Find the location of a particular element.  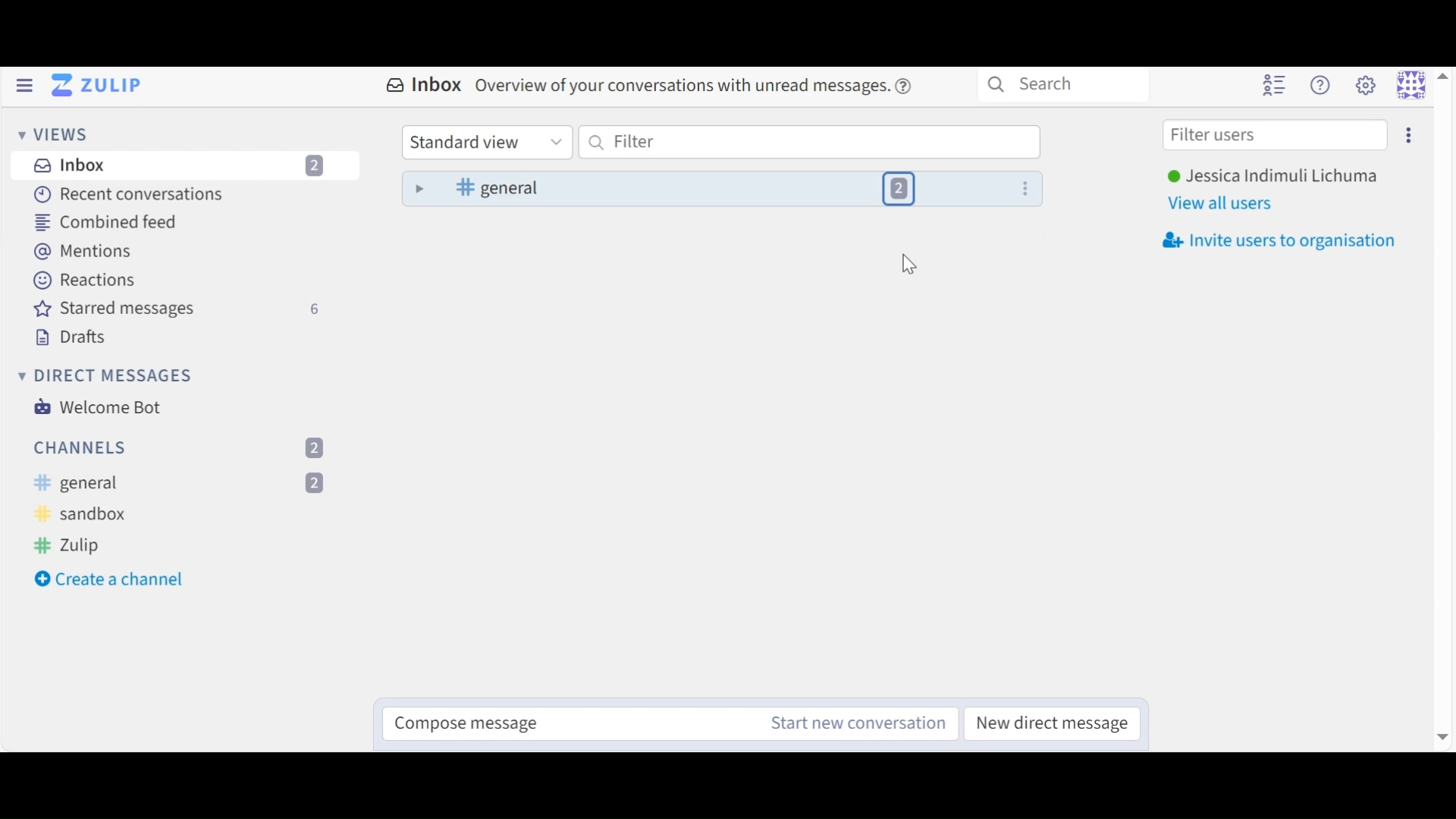

View all users is located at coordinates (1230, 202).